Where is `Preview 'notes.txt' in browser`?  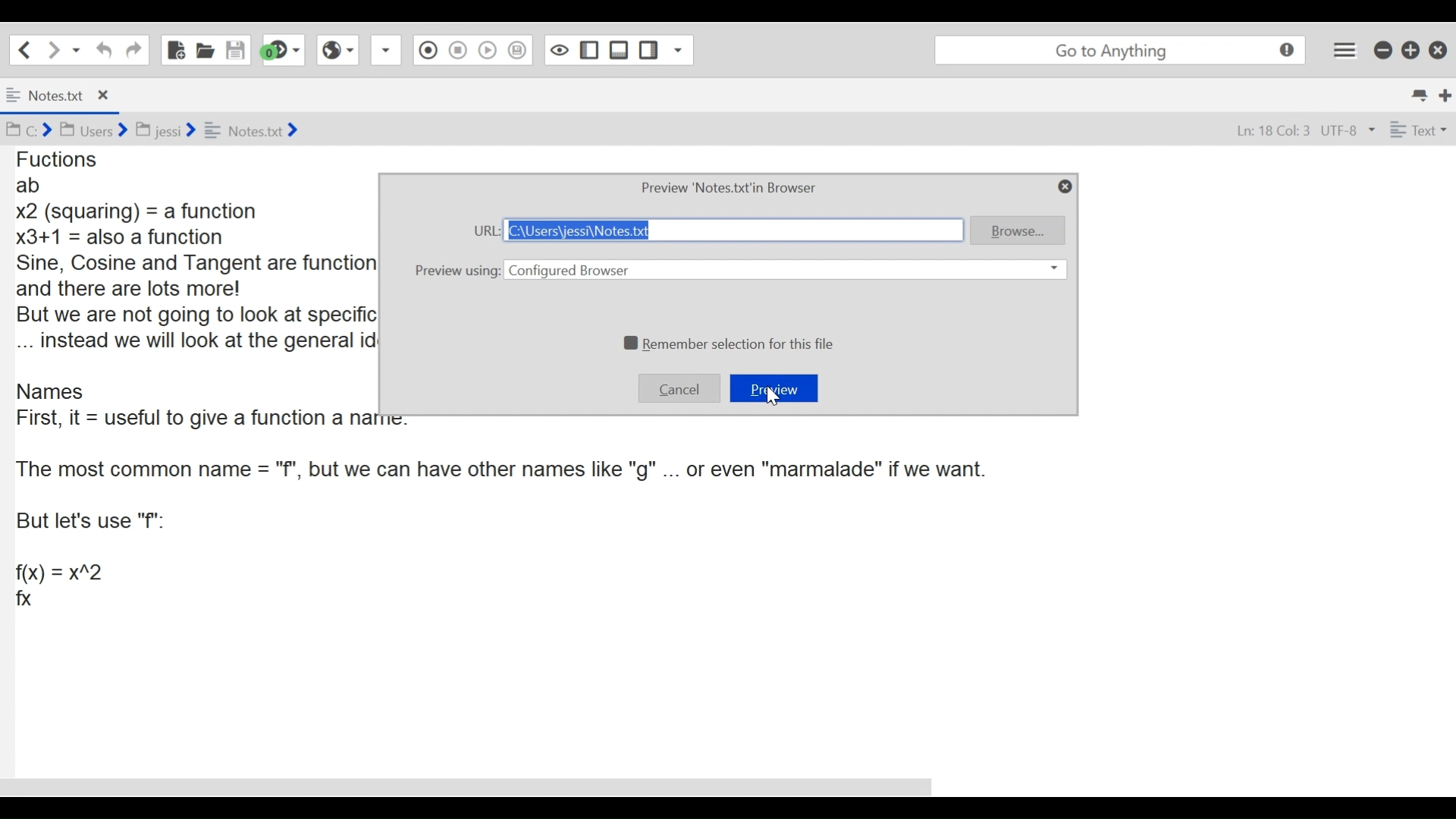
Preview 'notes.txt' in browser is located at coordinates (730, 189).